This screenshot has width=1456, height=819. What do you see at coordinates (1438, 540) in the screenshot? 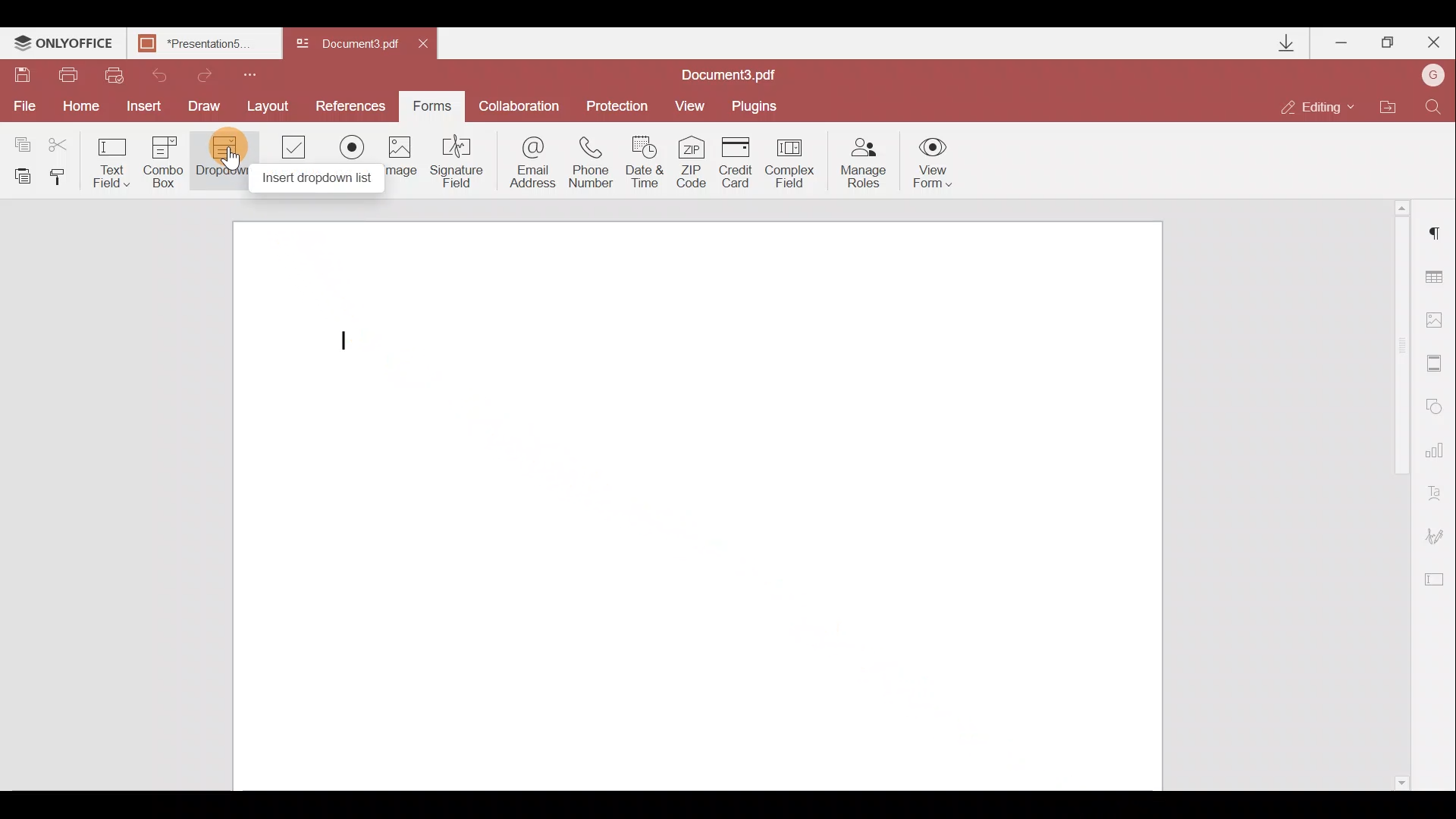
I see `Signature settings` at bounding box center [1438, 540].